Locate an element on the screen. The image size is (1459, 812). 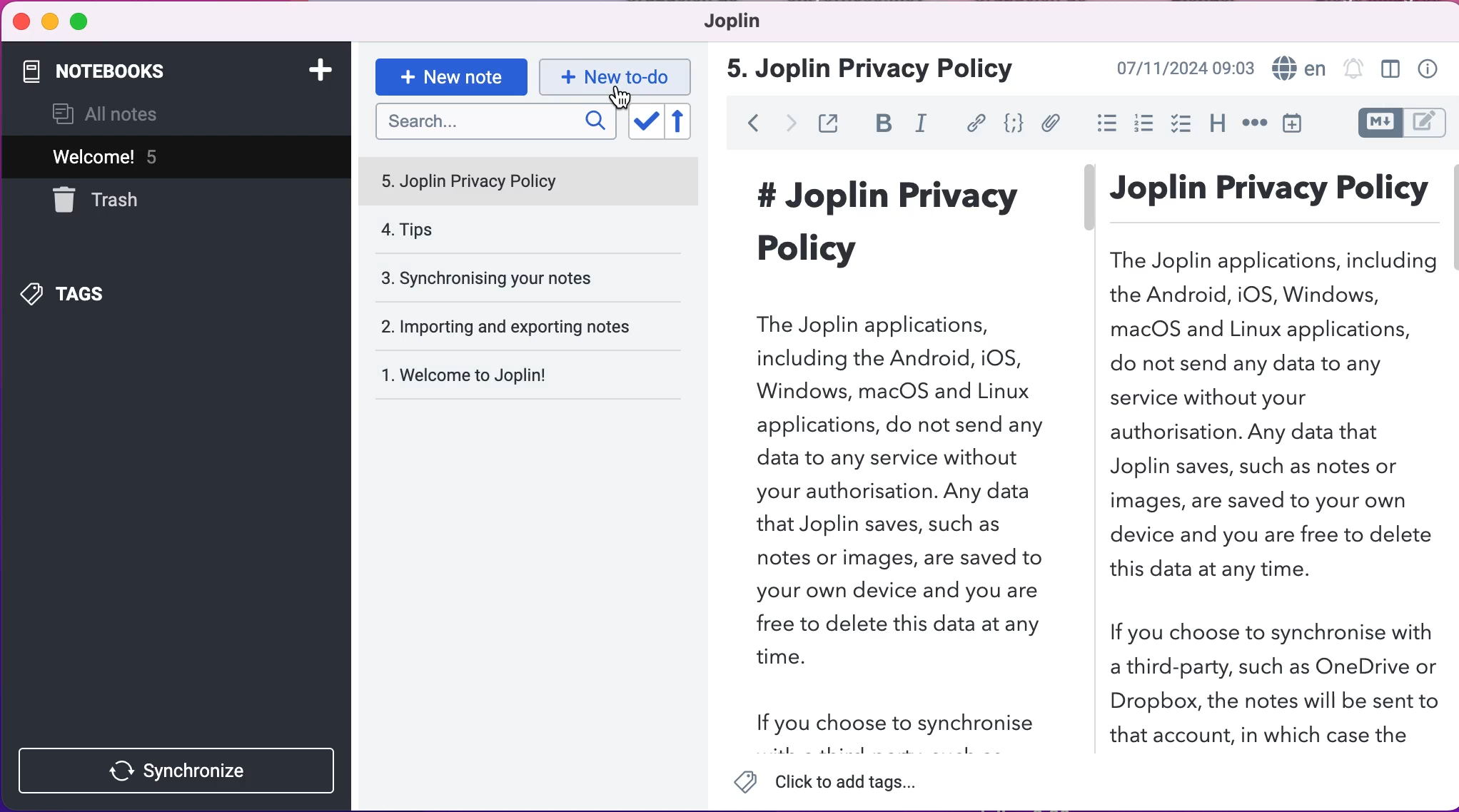
bulleted lists is located at coordinates (1104, 127).